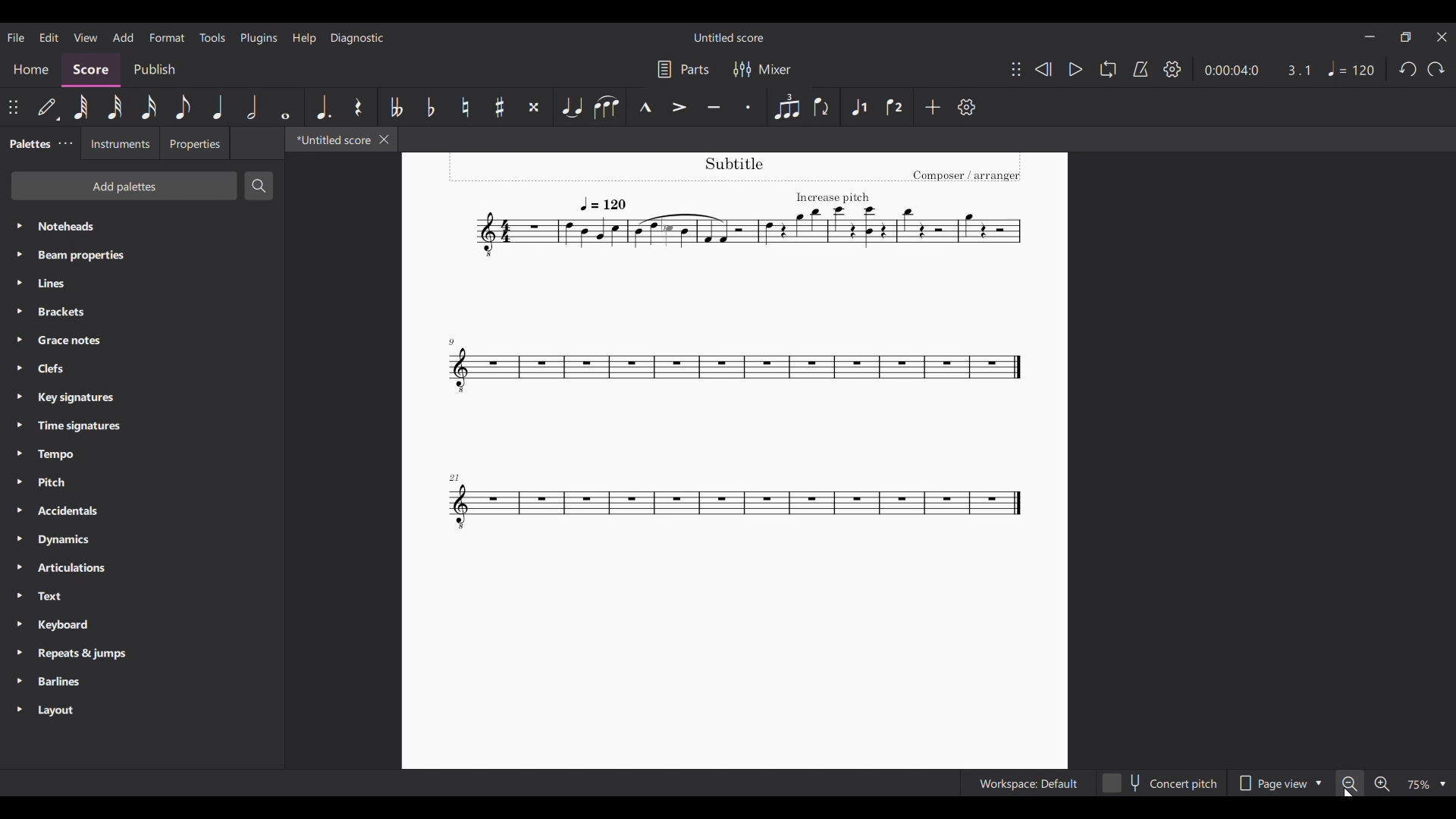 This screenshot has height=819, width=1456. Describe the element at coordinates (748, 107) in the screenshot. I see `Staccato` at that location.